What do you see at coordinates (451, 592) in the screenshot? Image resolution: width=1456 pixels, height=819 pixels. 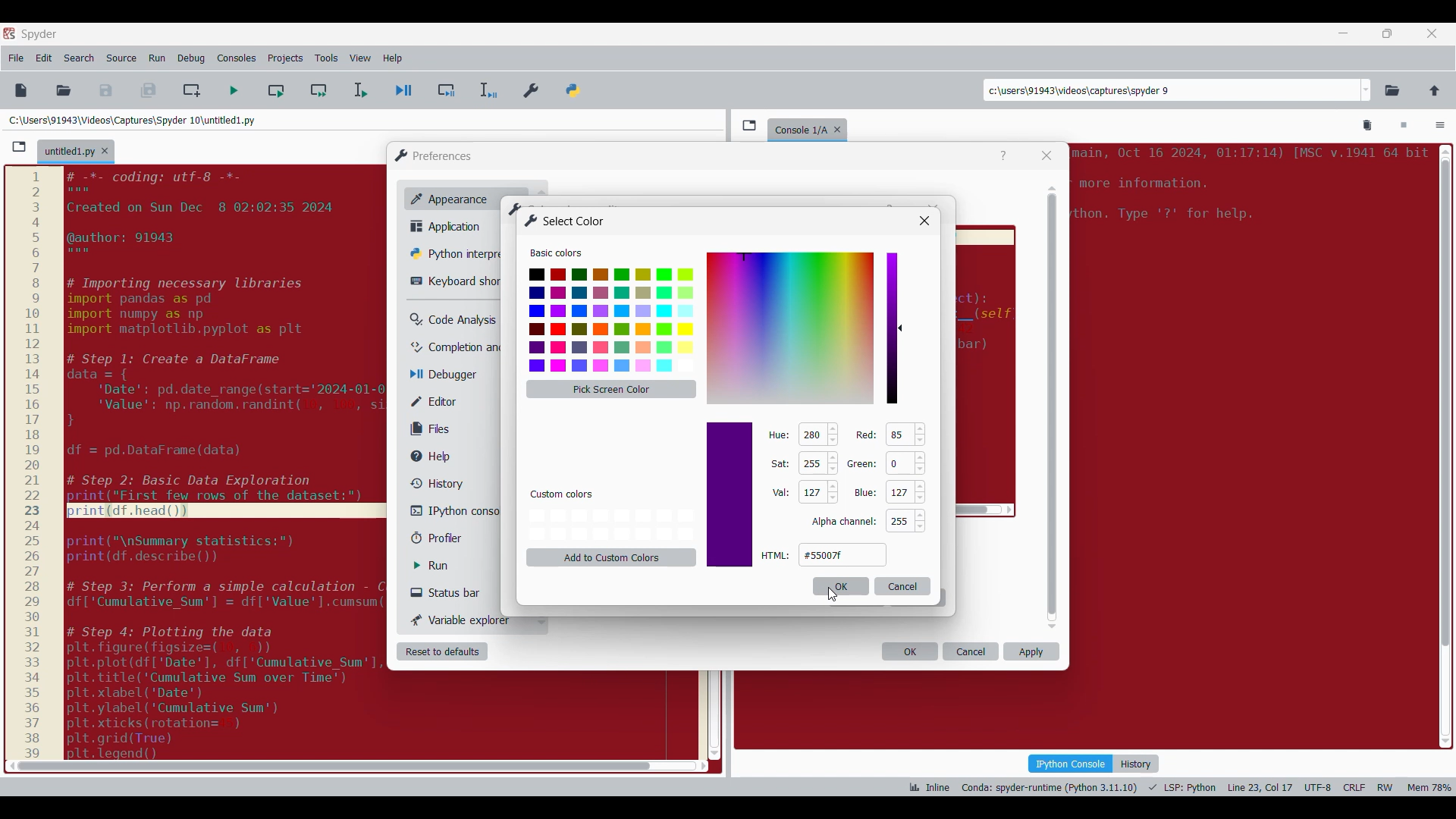 I see `Status bar` at bounding box center [451, 592].